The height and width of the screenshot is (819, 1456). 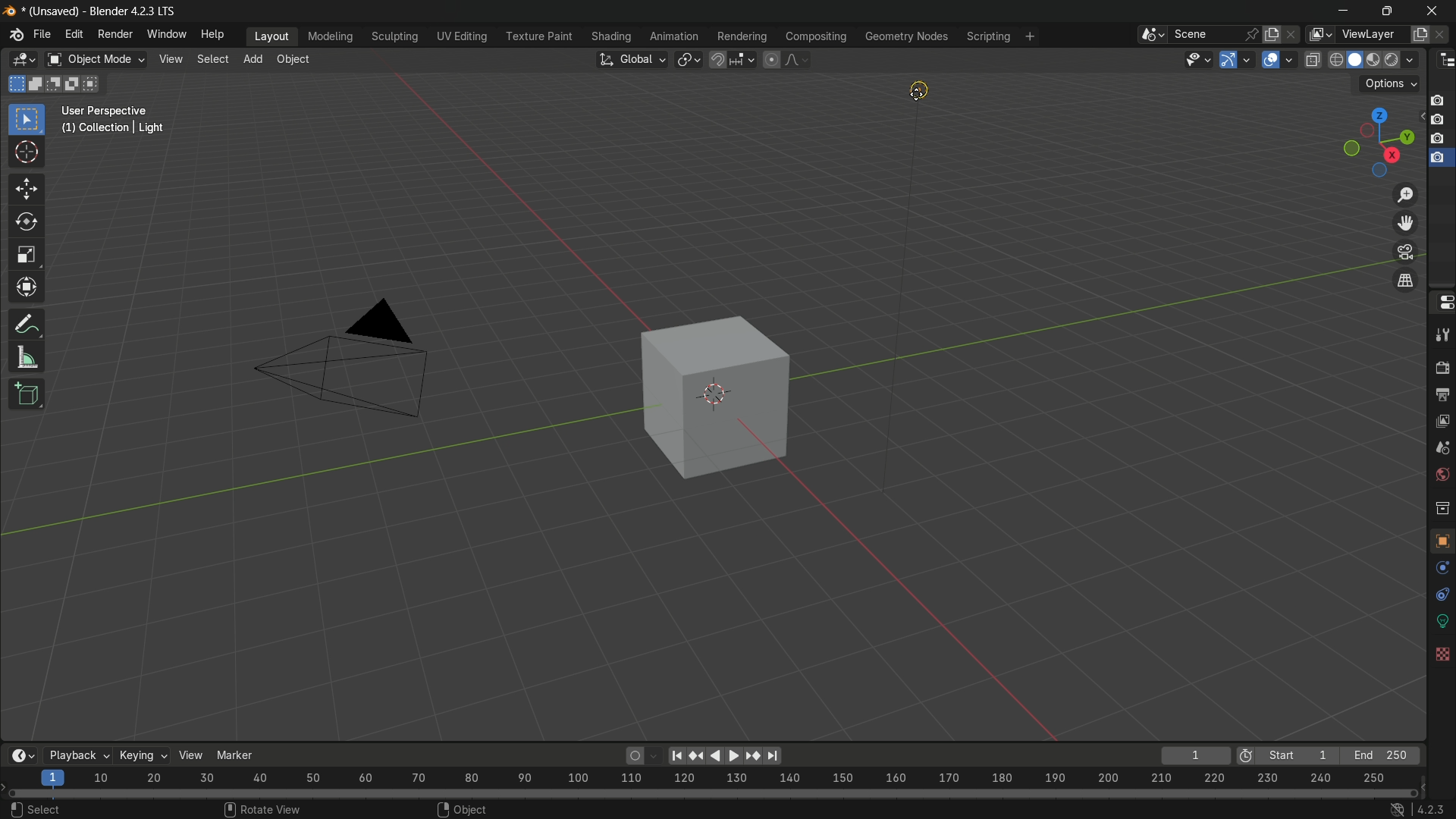 What do you see at coordinates (731, 60) in the screenshot?
I see `snap` at bounding box center [731, 60].